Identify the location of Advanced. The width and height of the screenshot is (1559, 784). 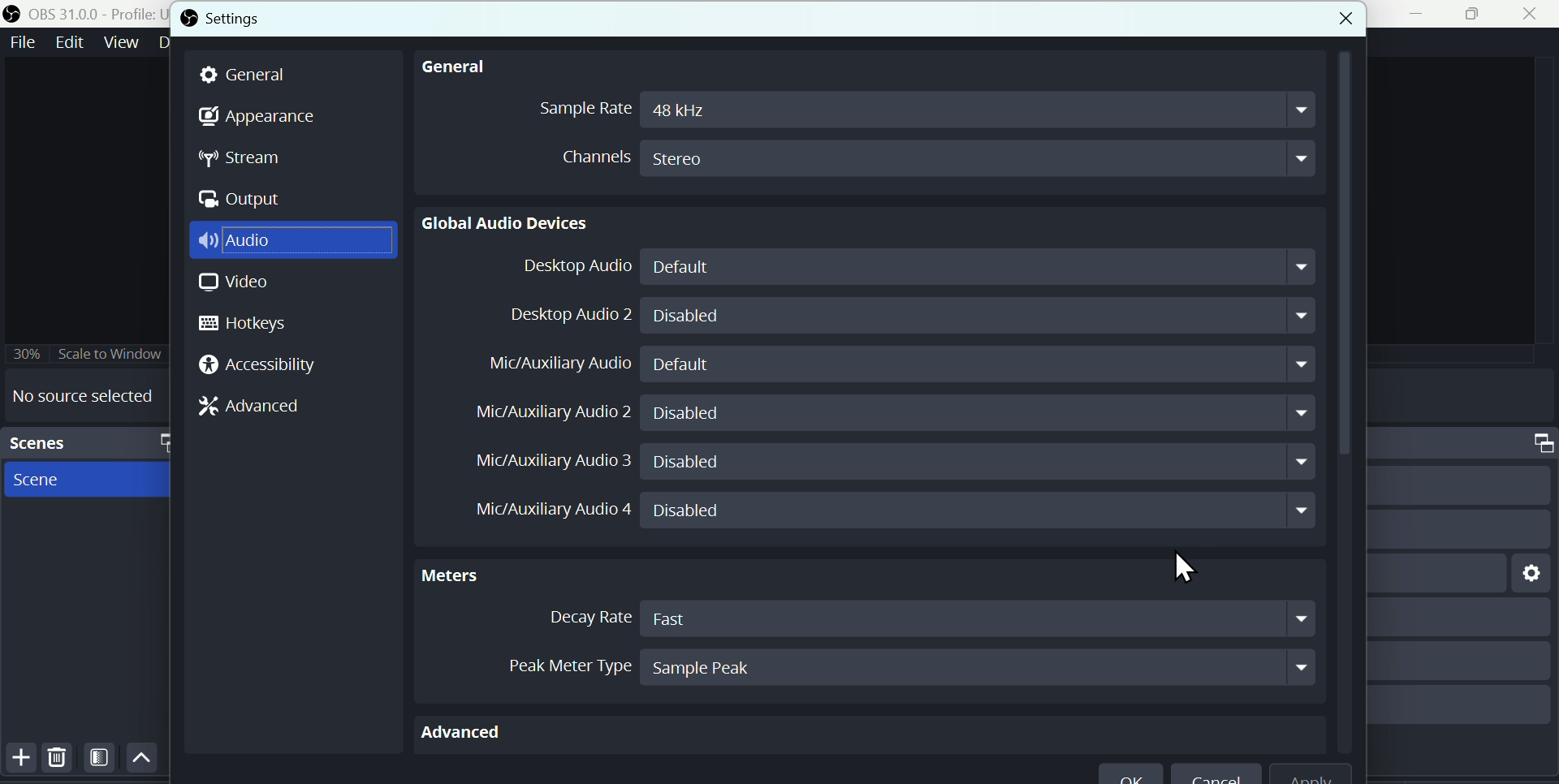
(478, 728).